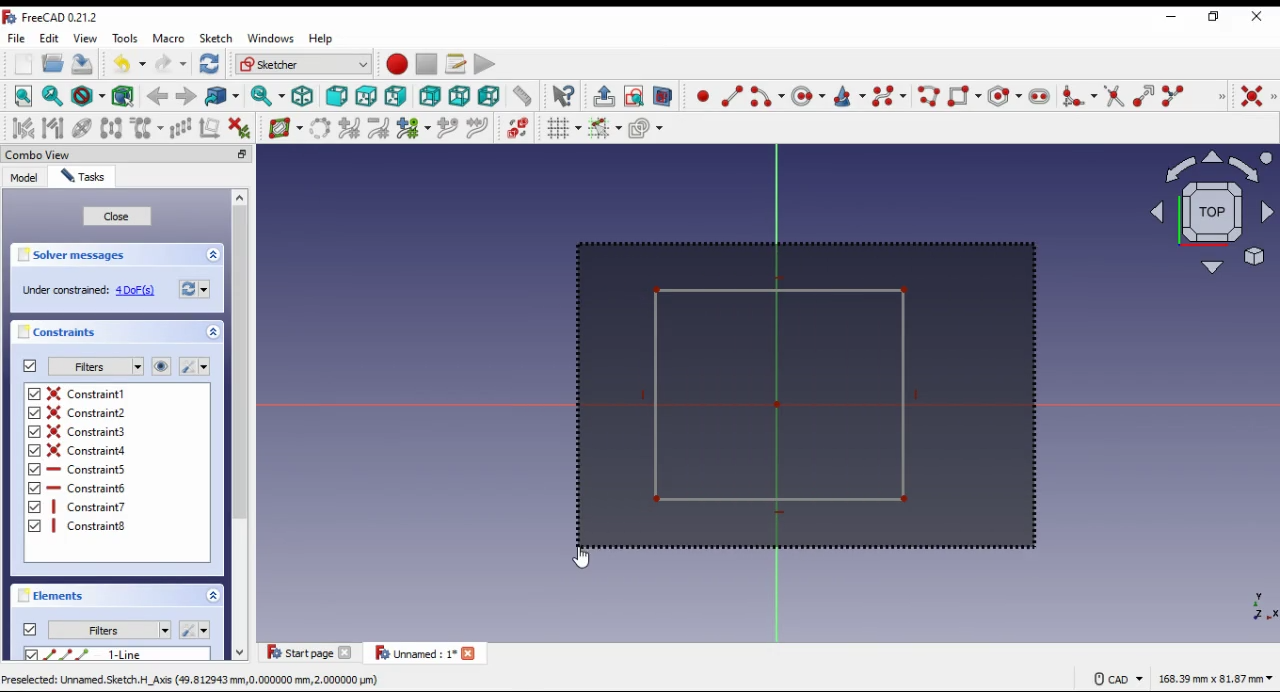 The image size is (1280, 692). What do you see at coordinates (162, 366) in the screenshot?
I see `show/hide all constraints in 3D view` at bounding box center [162, 366].